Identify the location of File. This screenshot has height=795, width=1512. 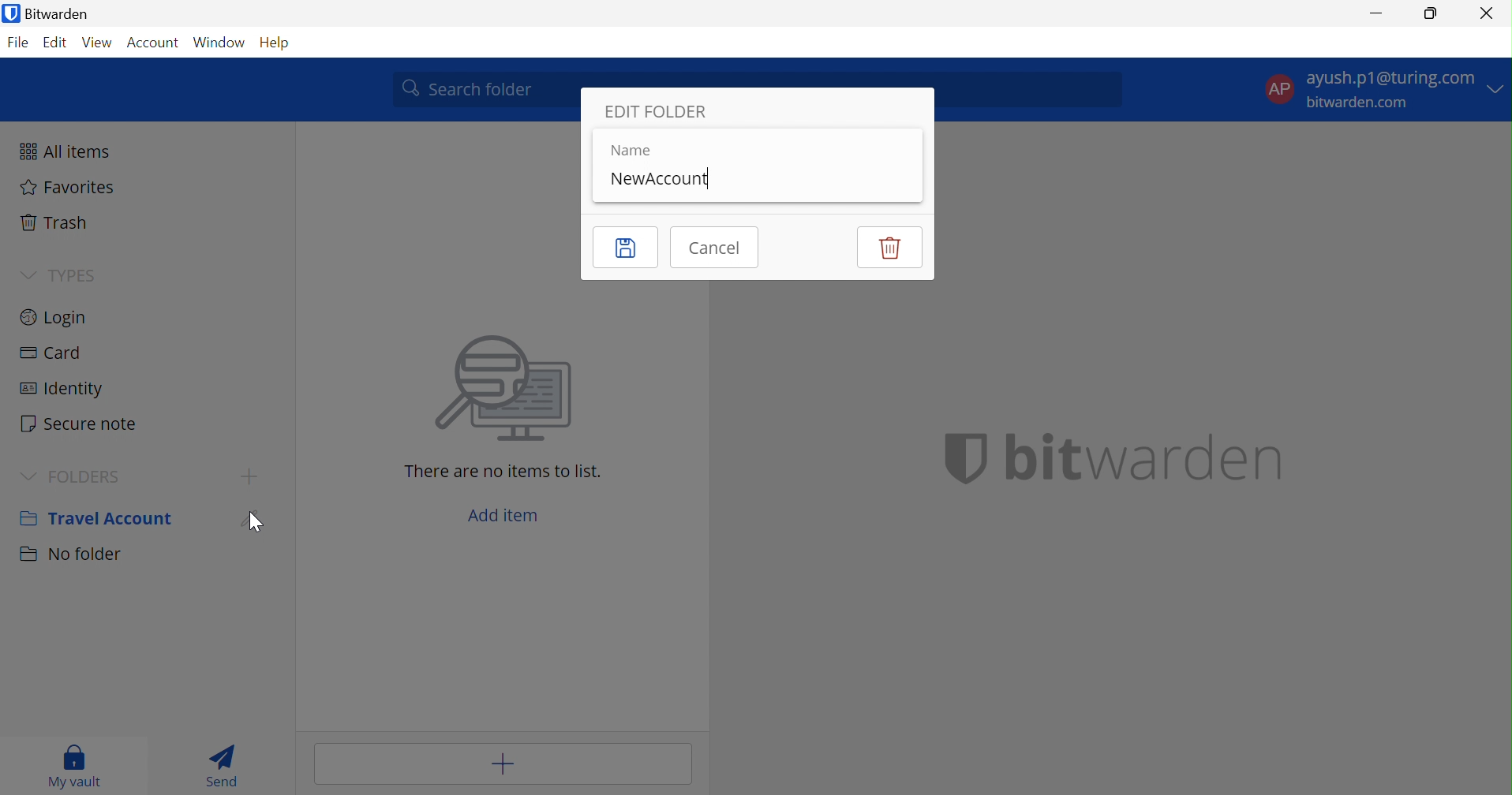
(21, 42).